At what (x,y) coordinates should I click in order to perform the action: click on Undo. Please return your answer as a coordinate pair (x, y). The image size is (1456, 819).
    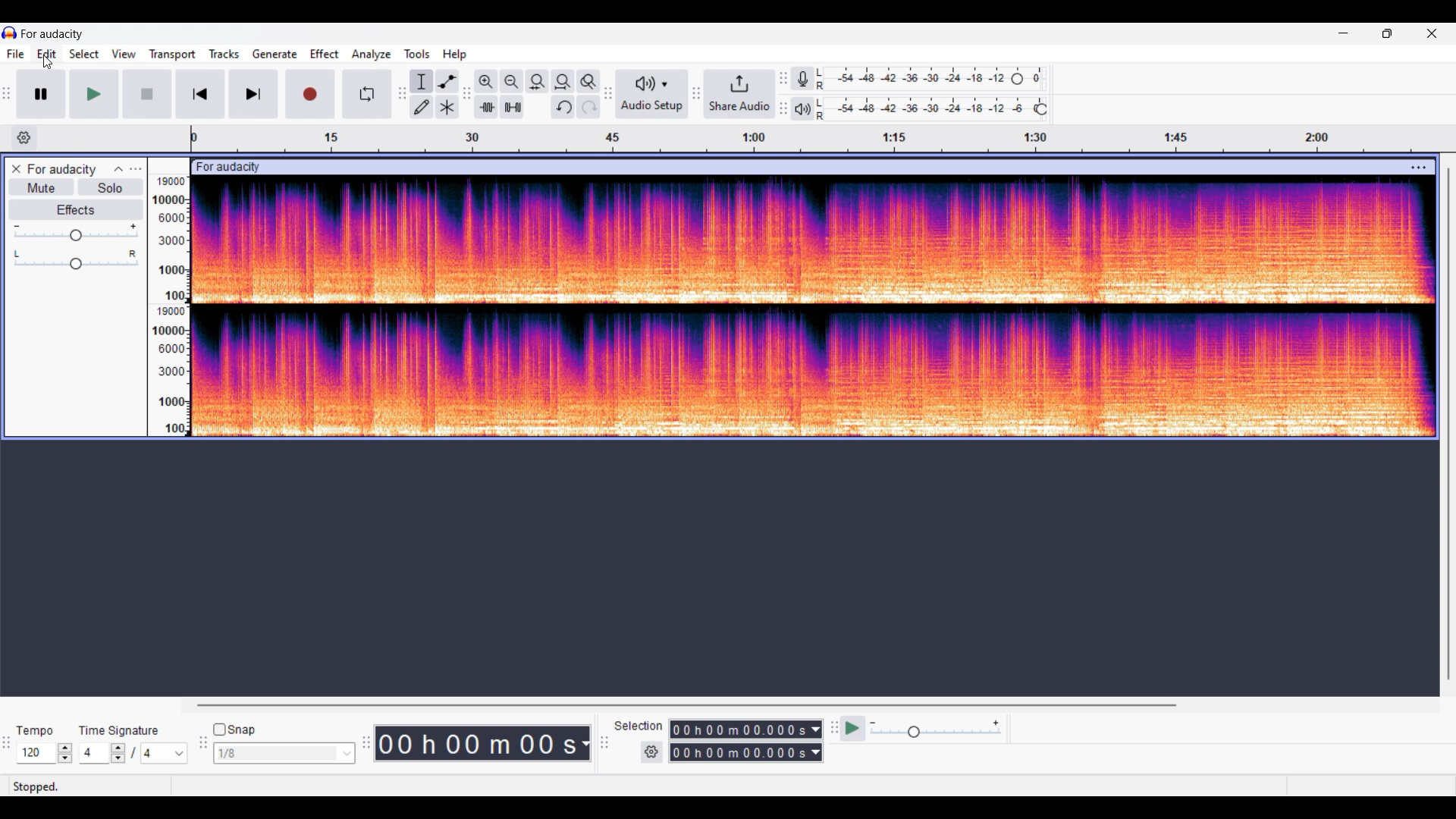
    Looking at the image, I should click on (563, 107).